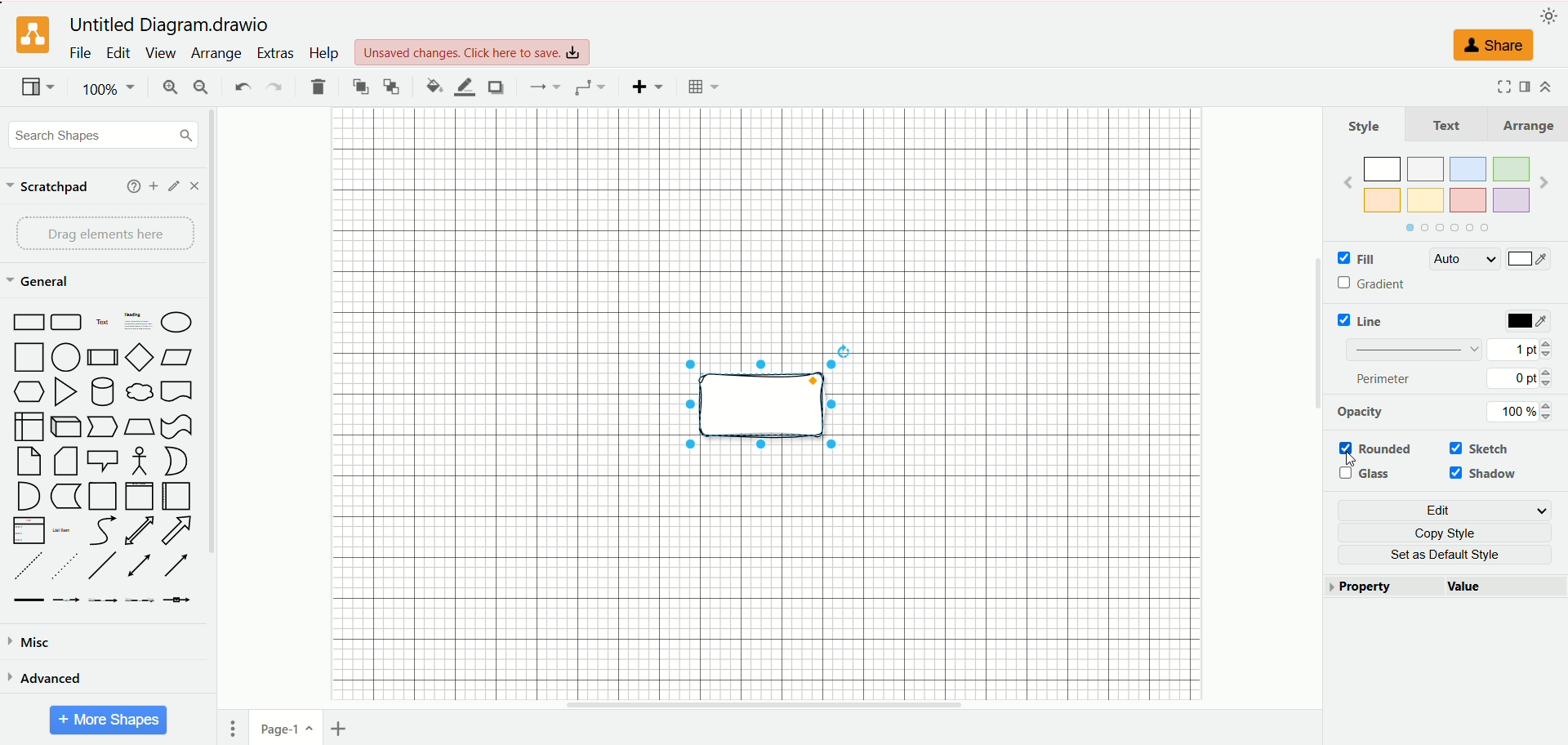  What do you see at coordinates (391, 86) in the screenshot?
I see `to back` at bounding box center [391, 86].